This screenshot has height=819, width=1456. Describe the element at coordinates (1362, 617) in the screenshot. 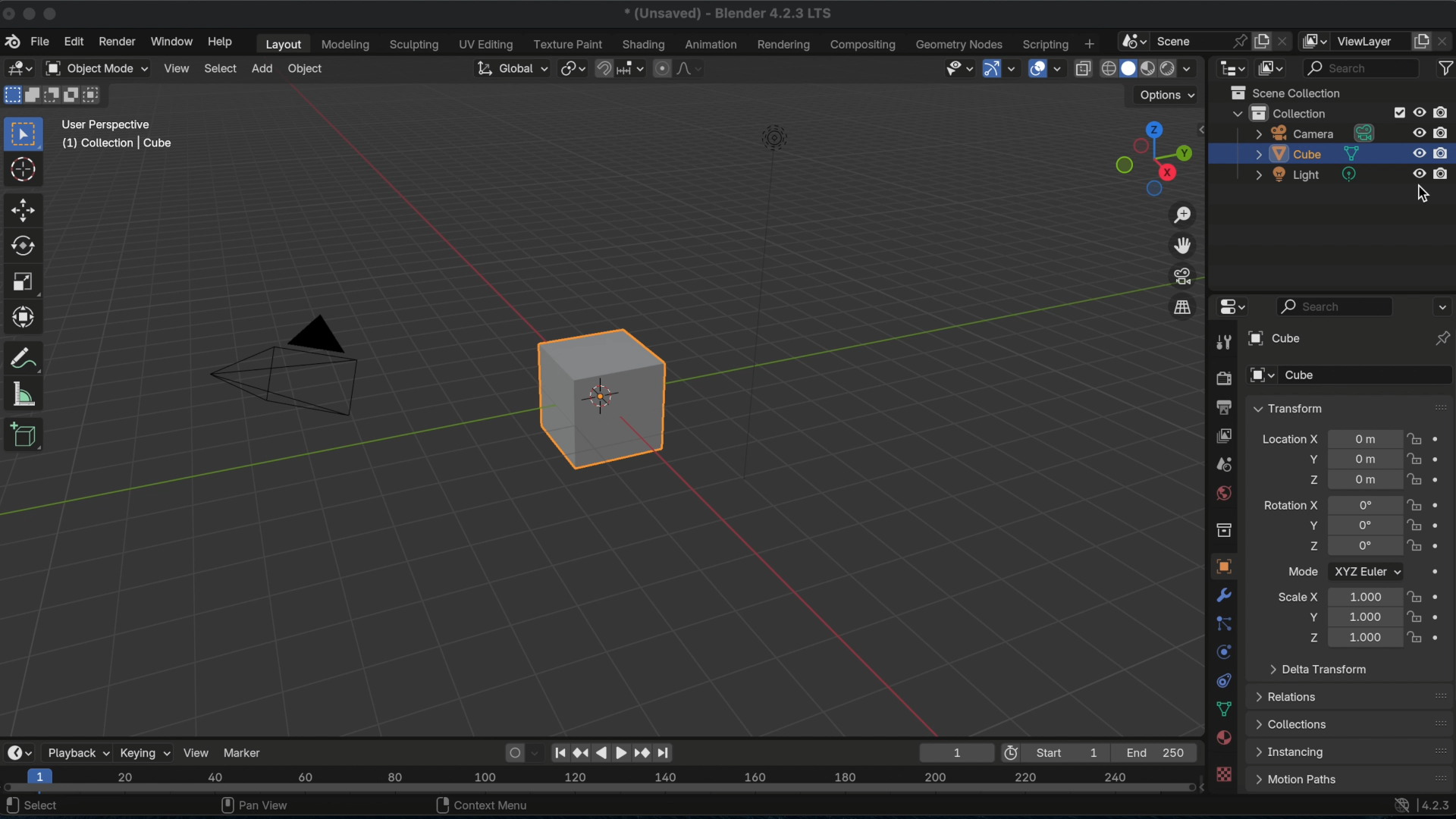

I see `location scale` at that location.